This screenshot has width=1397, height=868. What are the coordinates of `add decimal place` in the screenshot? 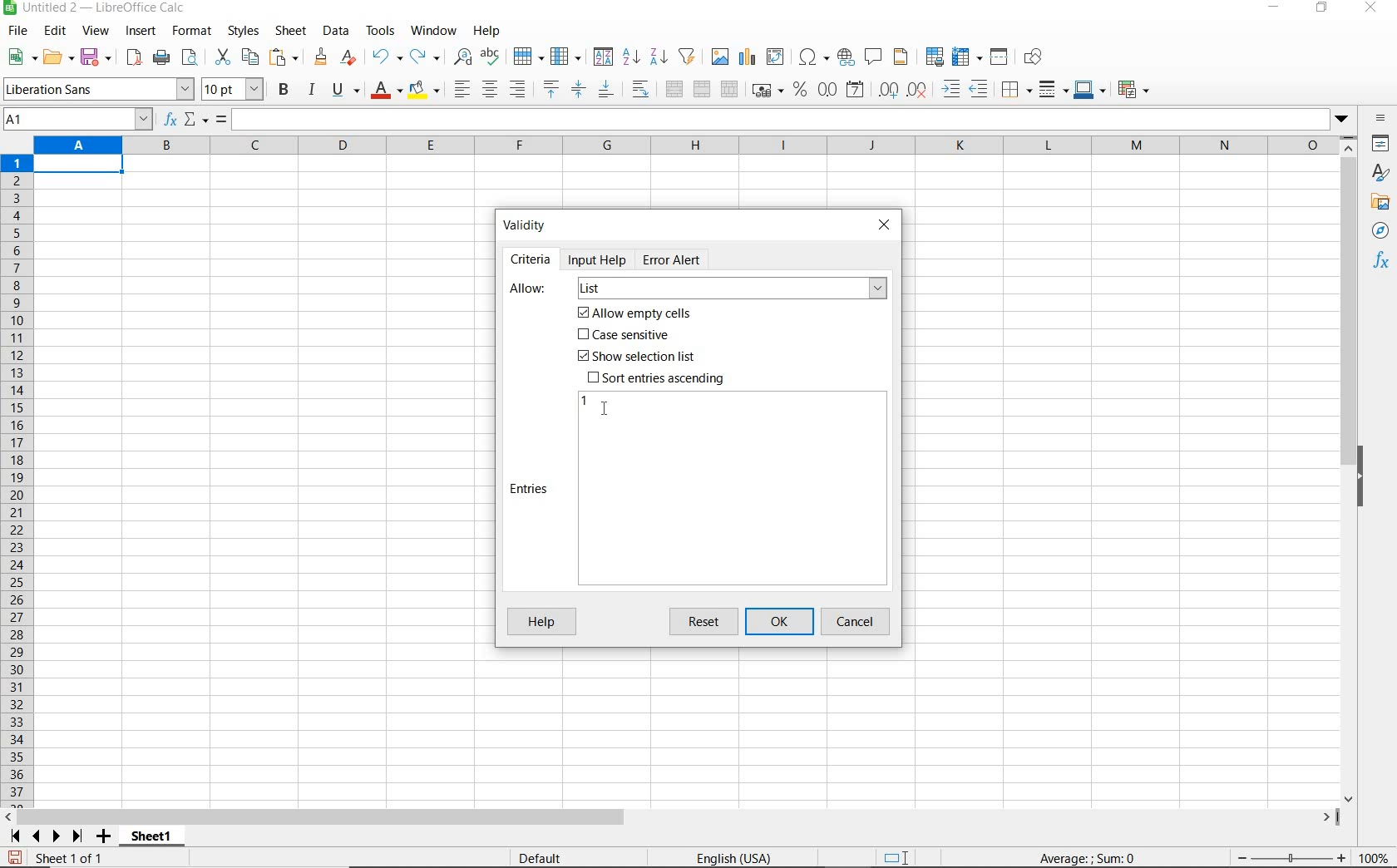 It's located at (889, 91).